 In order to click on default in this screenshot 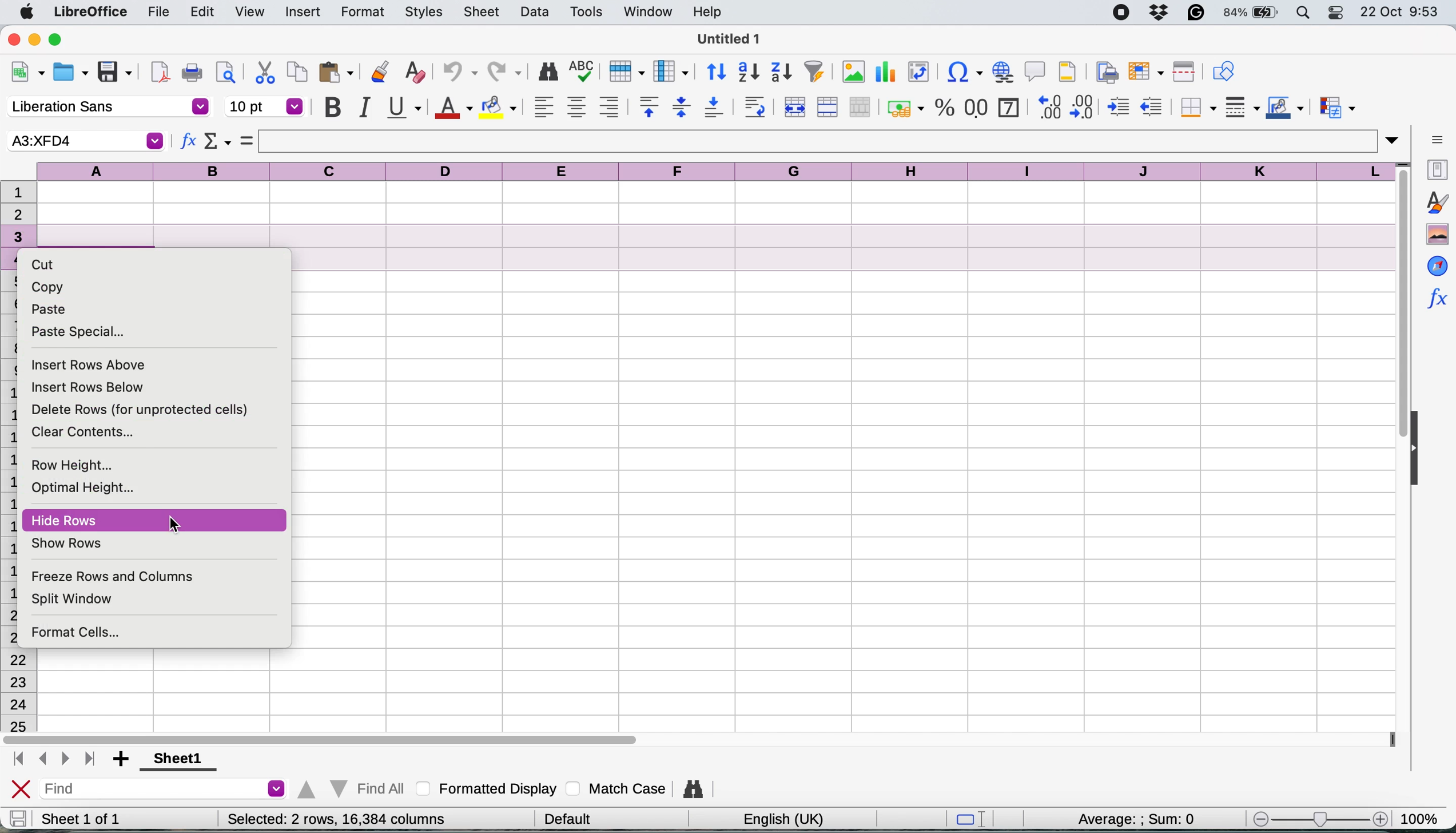, I will do `click(572, 817)`.